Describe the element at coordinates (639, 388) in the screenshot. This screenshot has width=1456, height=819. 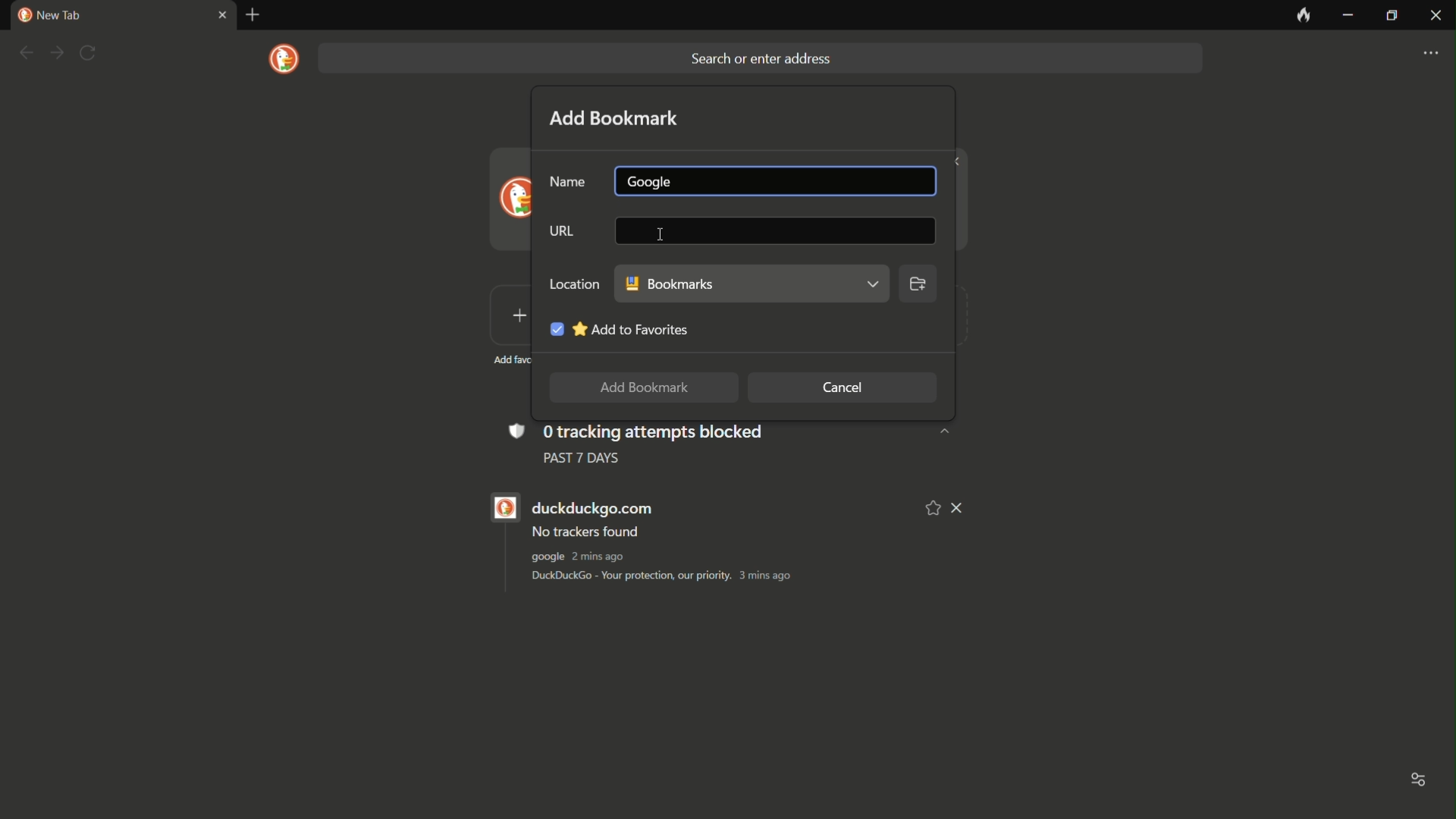
I see `add to bookmark button` at that location.